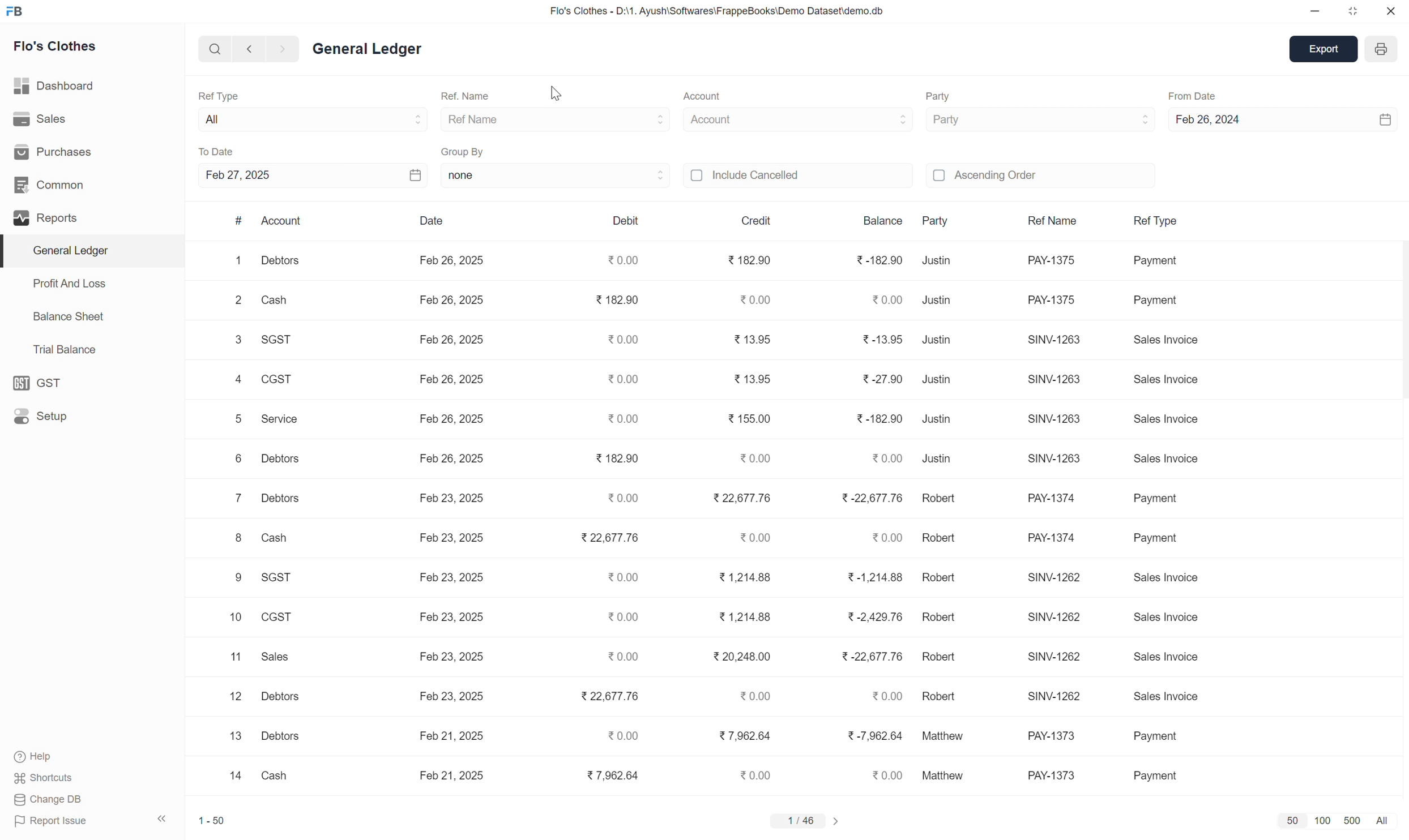  Describe the element at coordinates (465, 96) in the screenshot. I see `ref name` at that location.